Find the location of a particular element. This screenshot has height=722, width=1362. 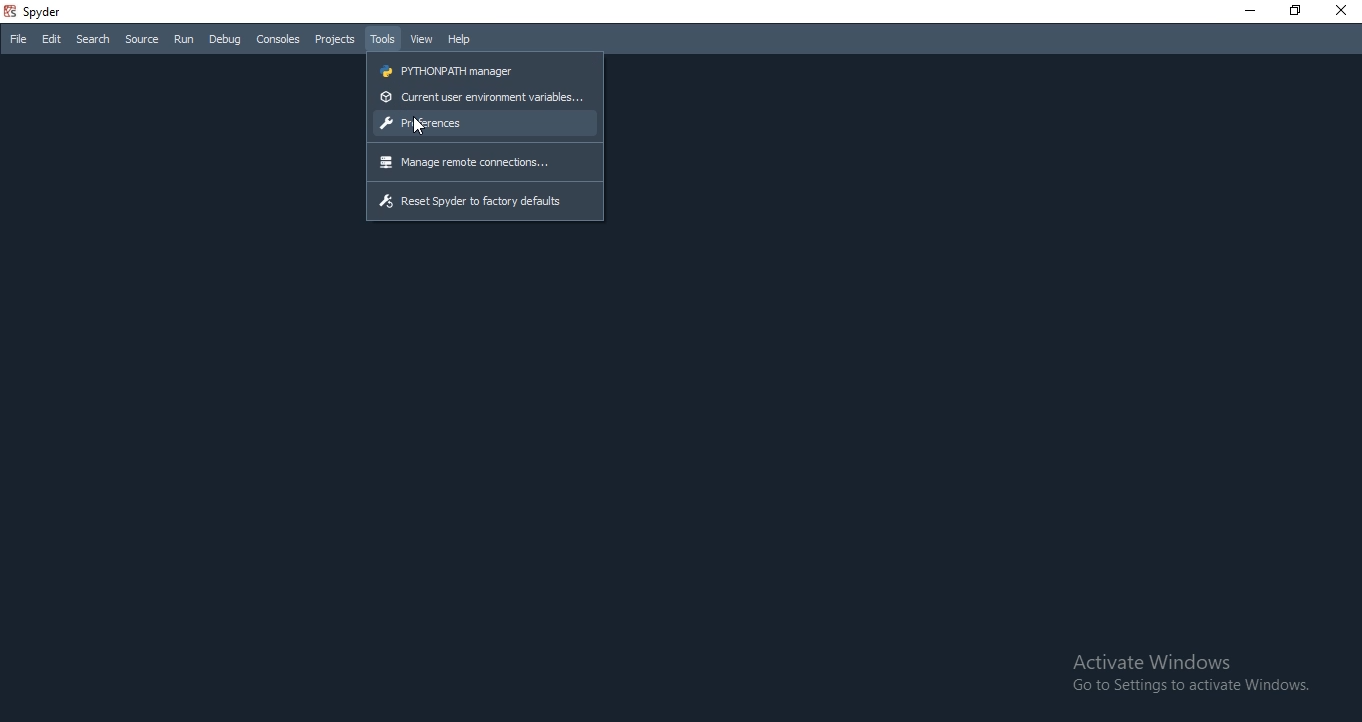

Projects is located at coordinates (334, 40).